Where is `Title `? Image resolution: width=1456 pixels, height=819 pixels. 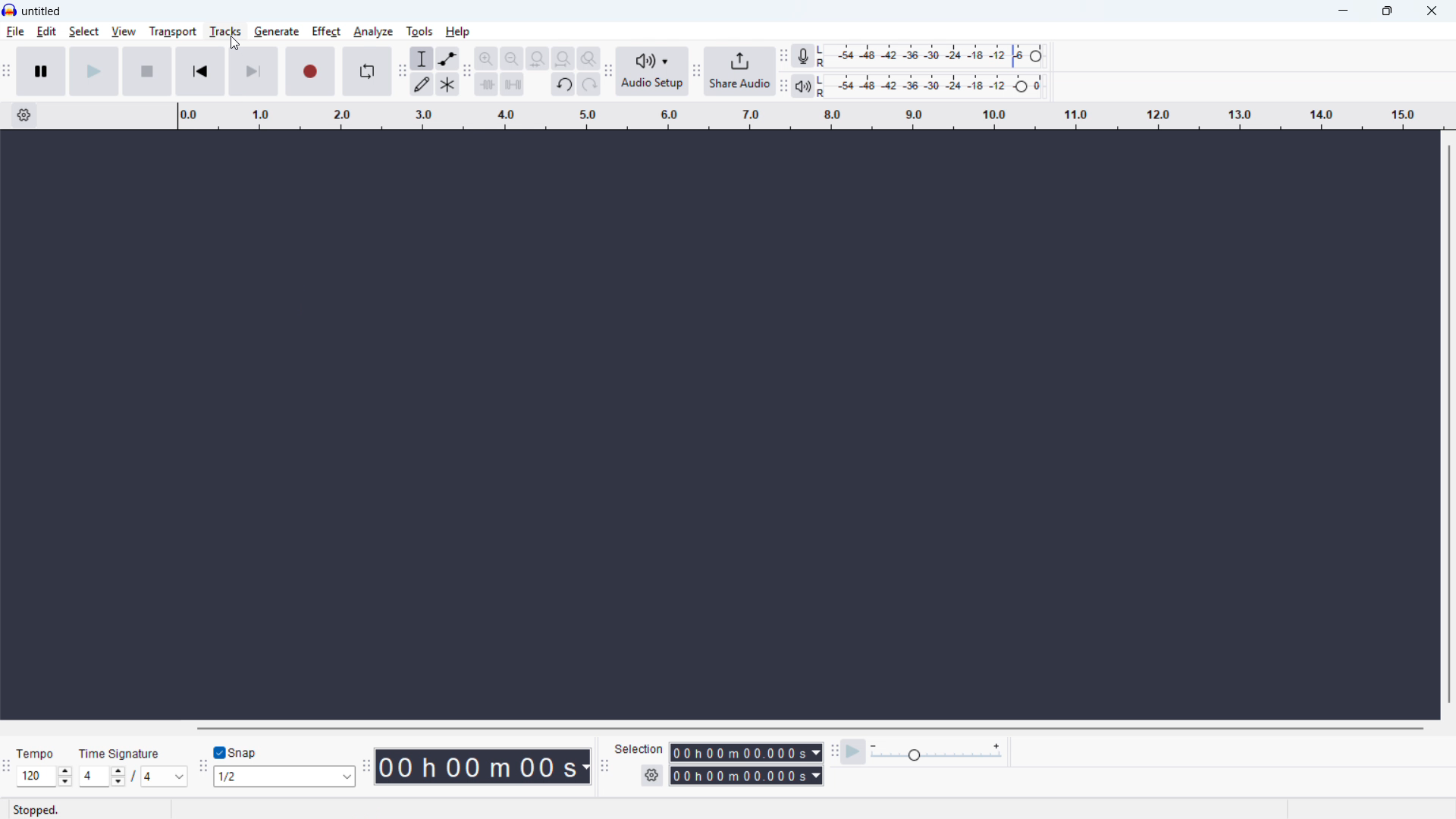
Title  is located at coordinates (42, 11).